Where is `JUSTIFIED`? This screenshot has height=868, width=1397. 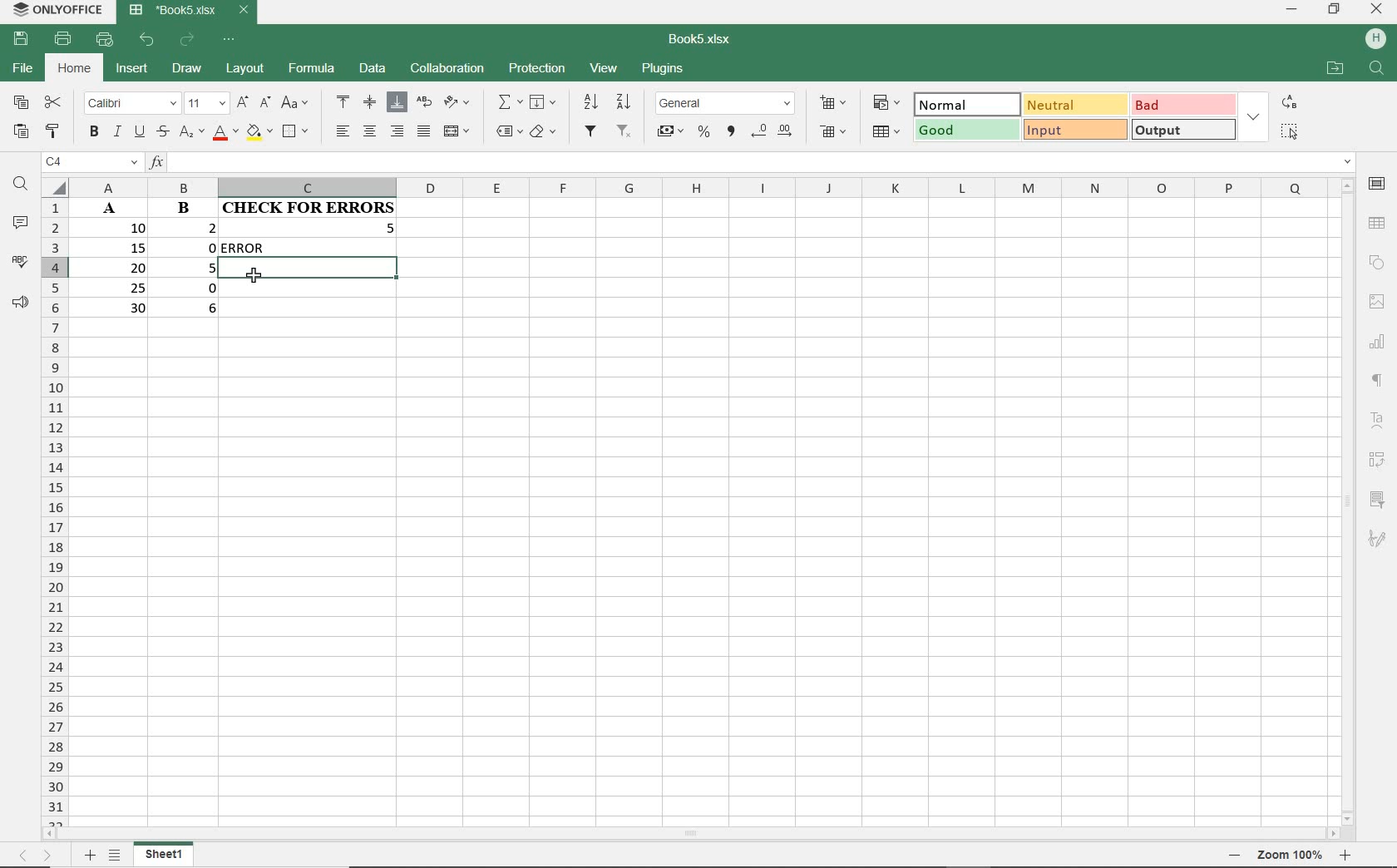 JUSTIFIED is located at coordinates (425, 131).